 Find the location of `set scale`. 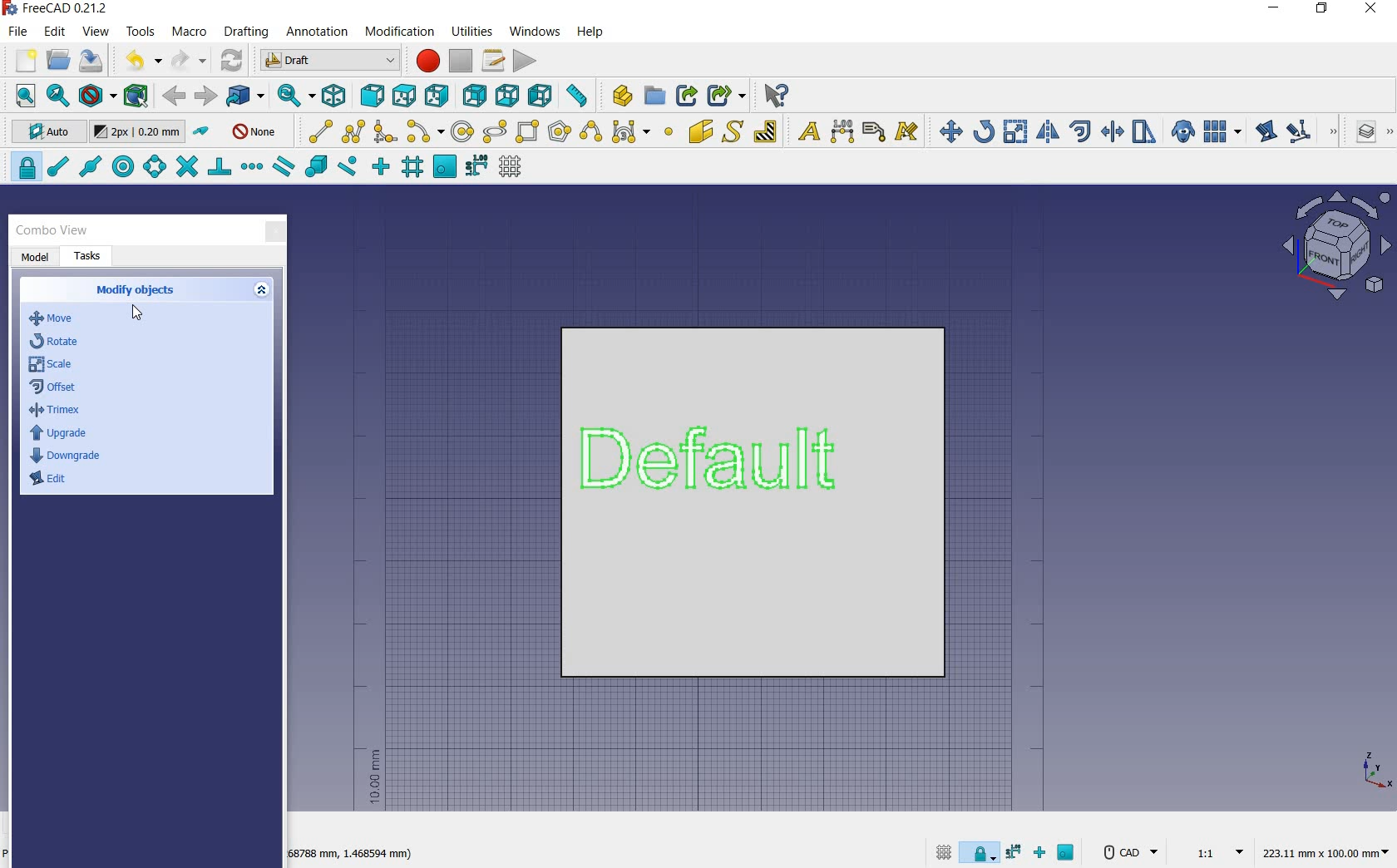

set scale is located at coordinates (1214, 851).